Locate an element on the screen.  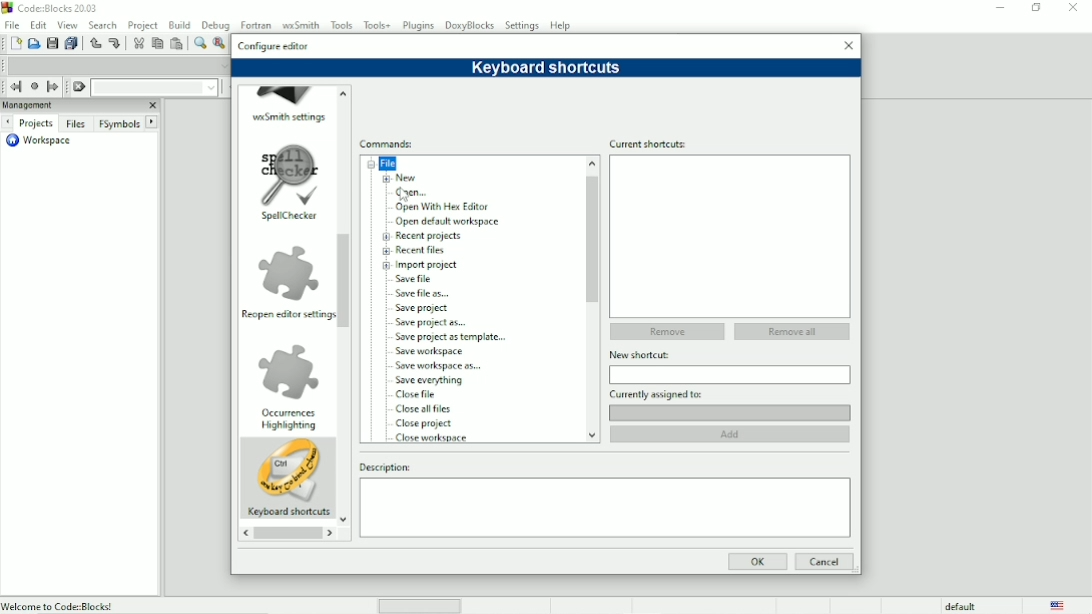
Projects is located at coordinates (35, 123).